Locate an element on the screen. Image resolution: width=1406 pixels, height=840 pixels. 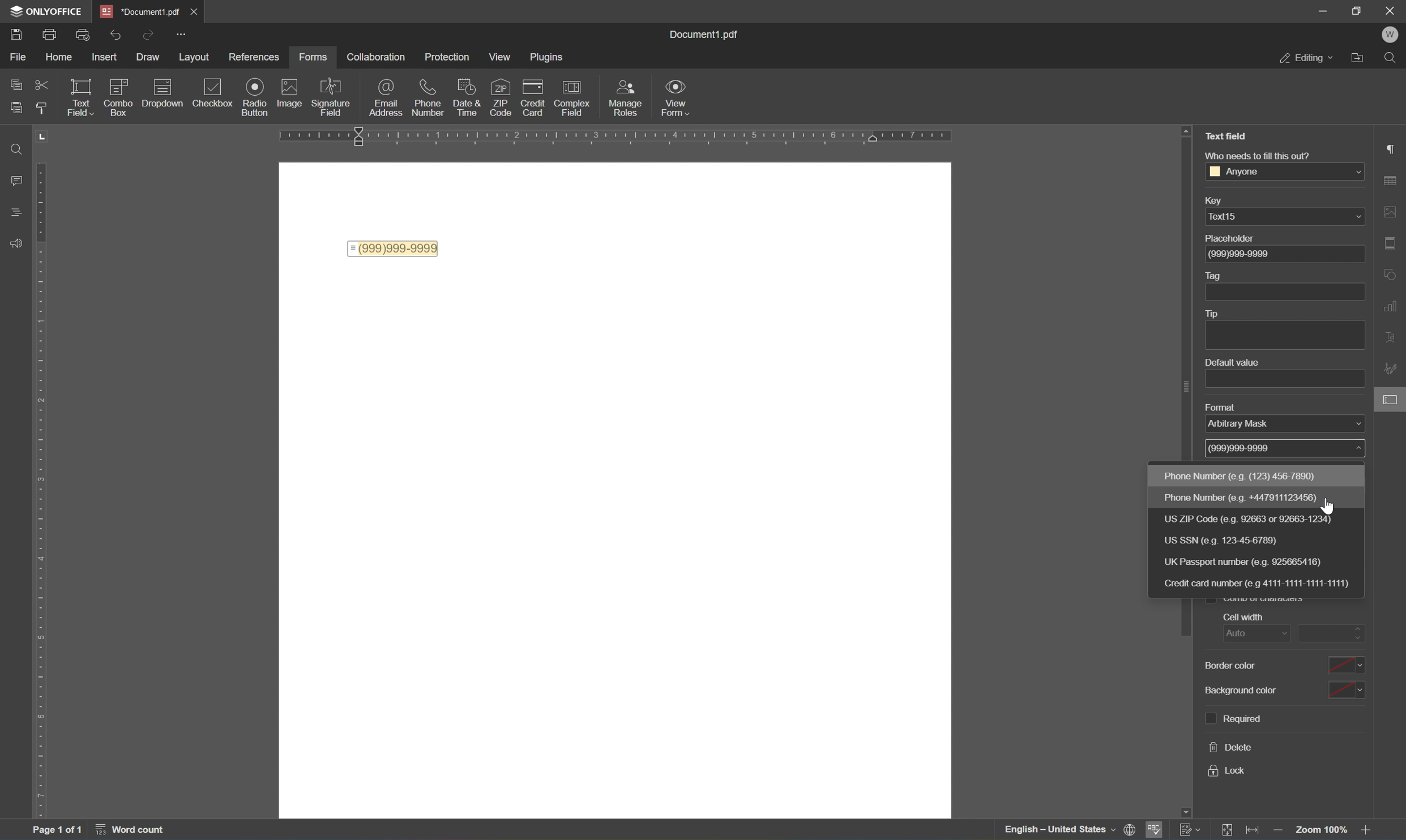
drop down is located at coordinates (1356, 216).